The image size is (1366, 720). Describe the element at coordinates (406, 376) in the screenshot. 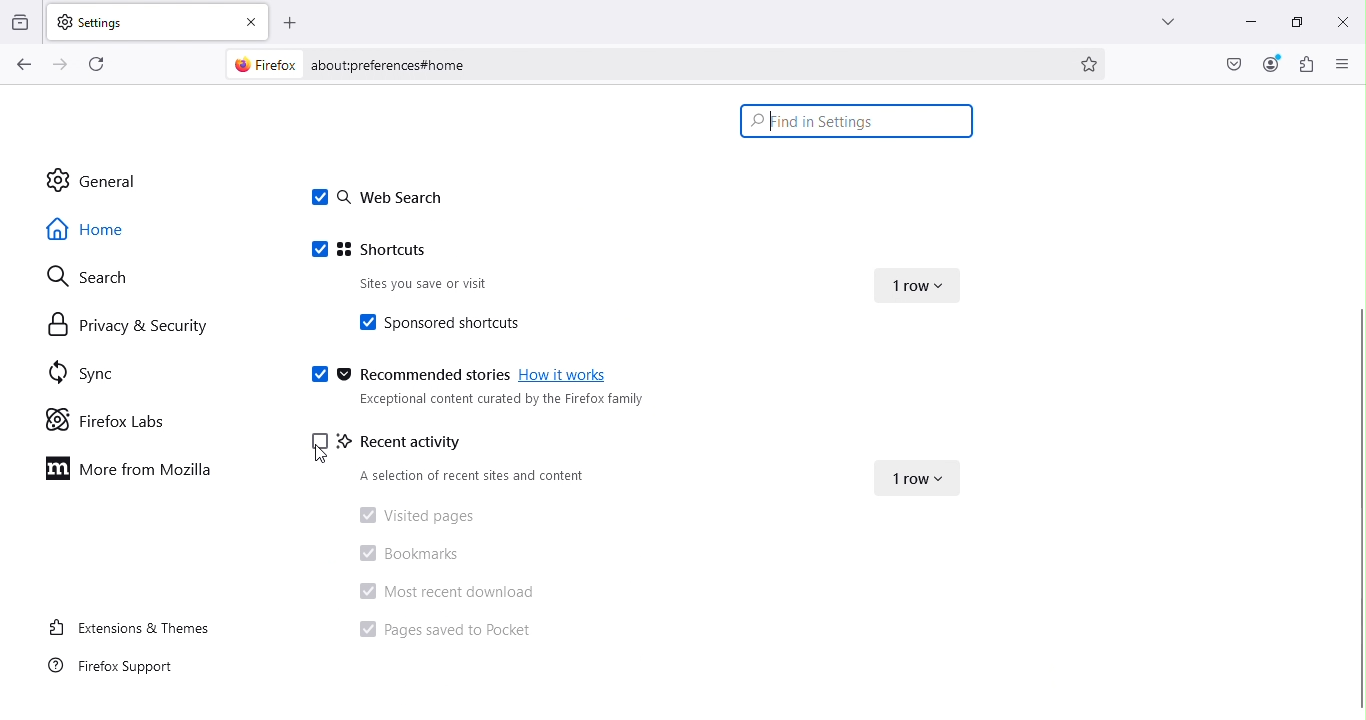

I see `Recommend stories` at that location.